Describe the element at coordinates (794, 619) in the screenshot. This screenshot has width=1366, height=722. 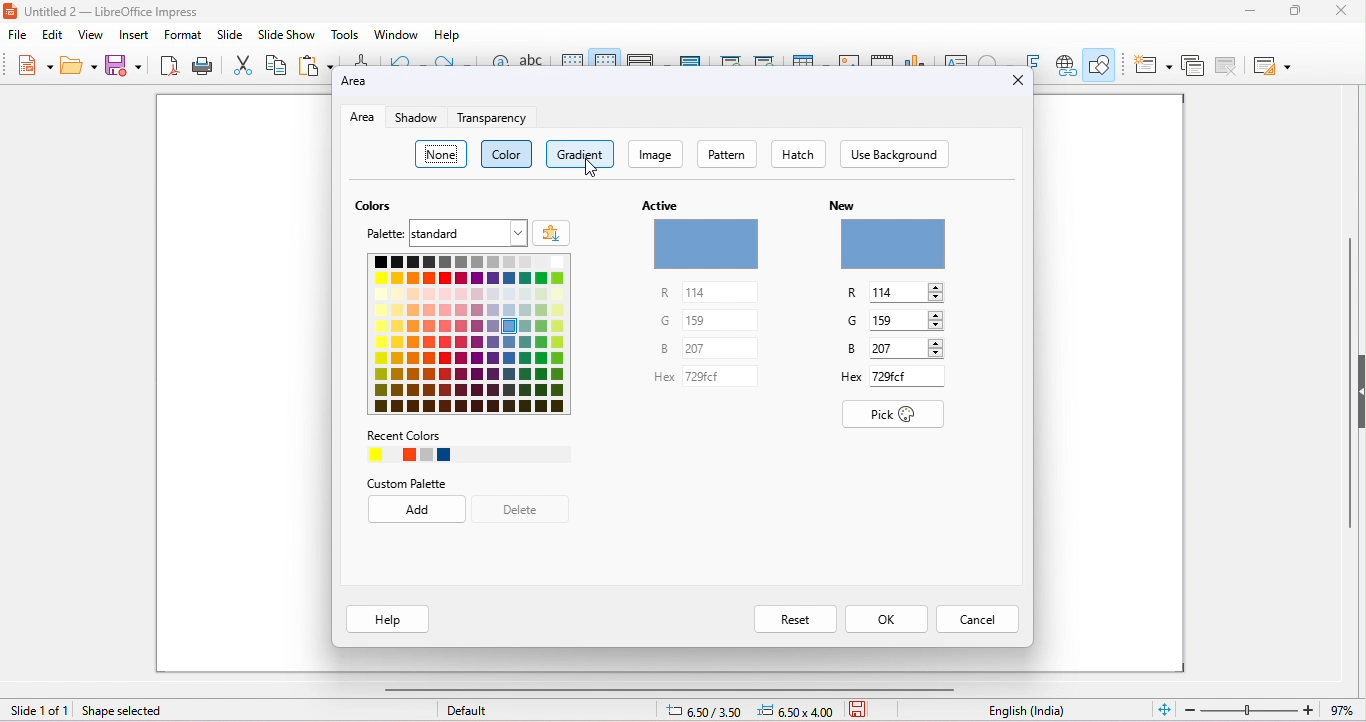
I see `reset` at that location.